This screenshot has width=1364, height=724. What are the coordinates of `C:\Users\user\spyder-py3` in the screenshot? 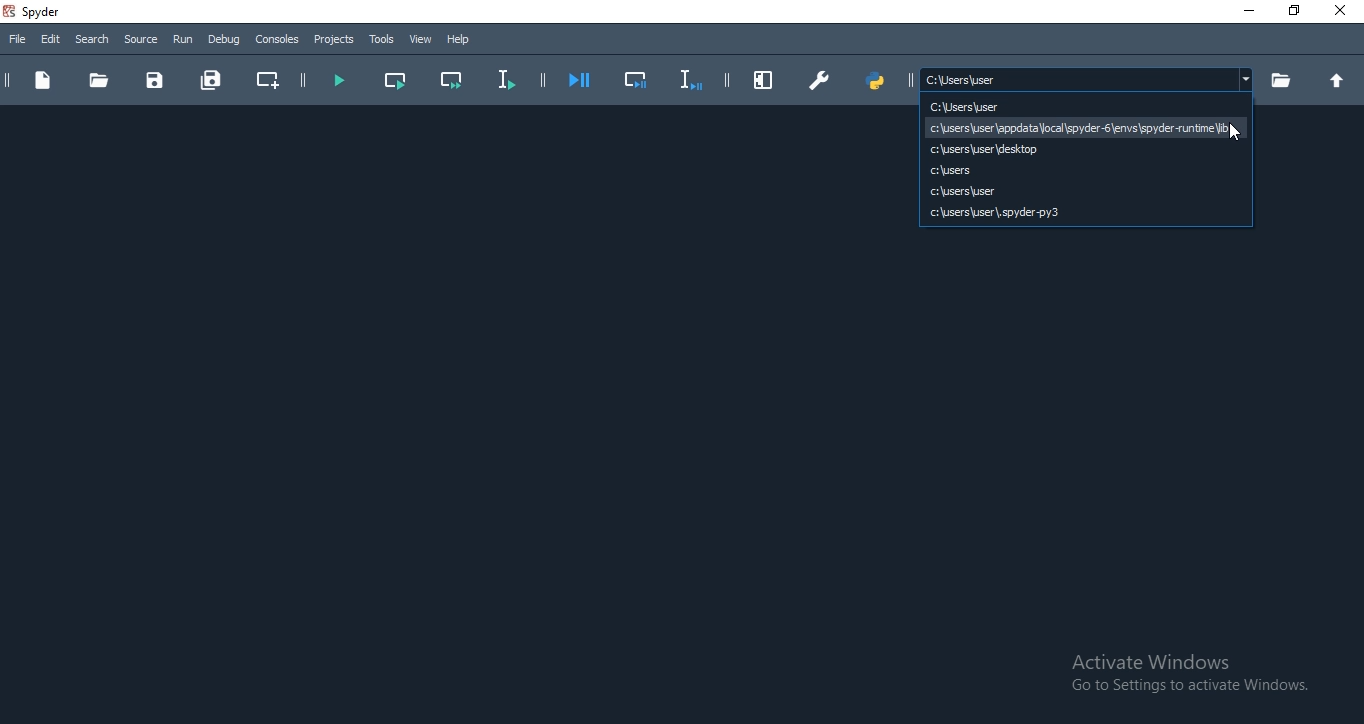 It's located at (1085, 213).